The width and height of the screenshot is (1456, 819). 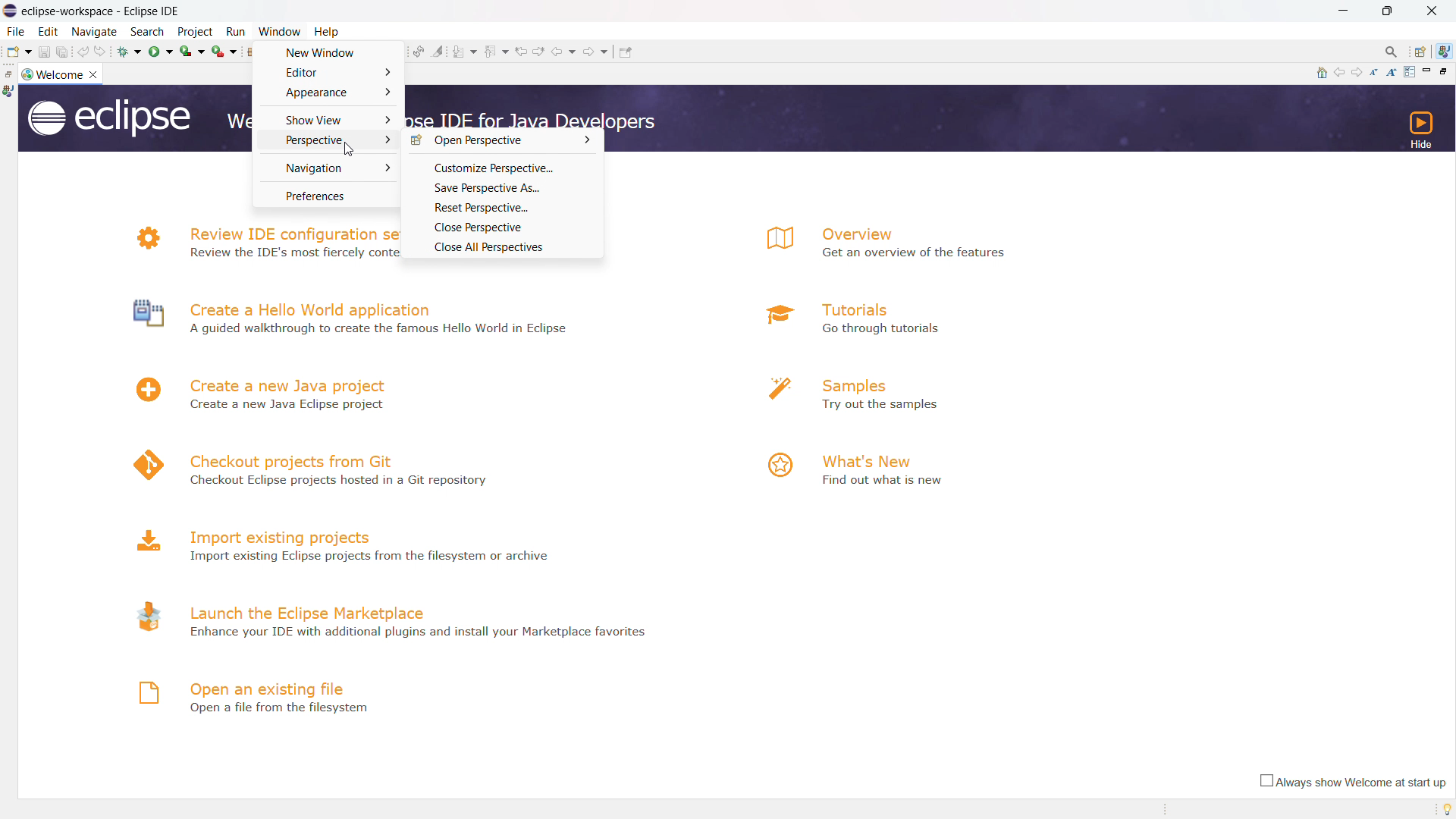 I want to click on logo, so click(x=144, y=615).